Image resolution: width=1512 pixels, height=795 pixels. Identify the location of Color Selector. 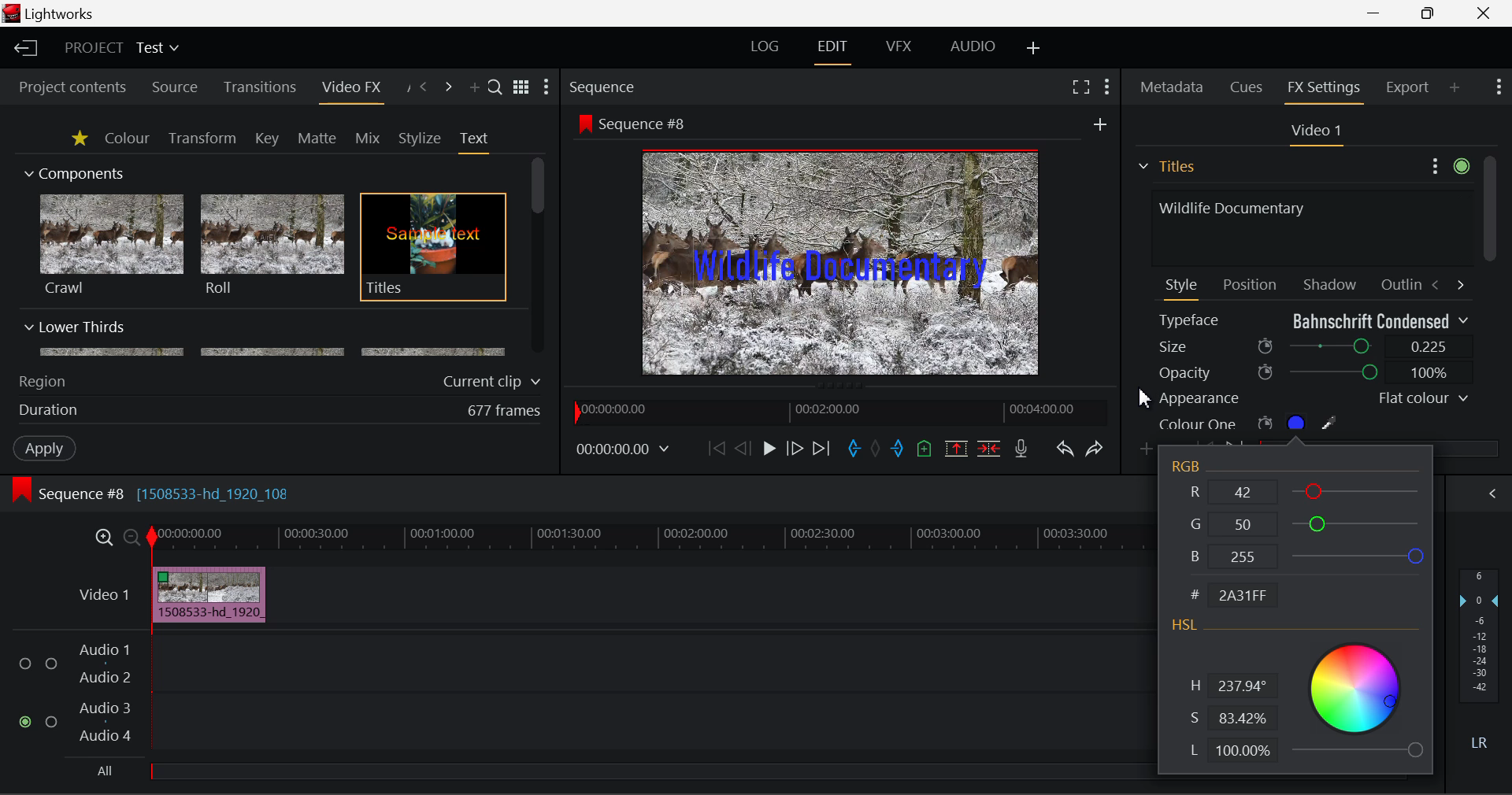
(1356, 698).